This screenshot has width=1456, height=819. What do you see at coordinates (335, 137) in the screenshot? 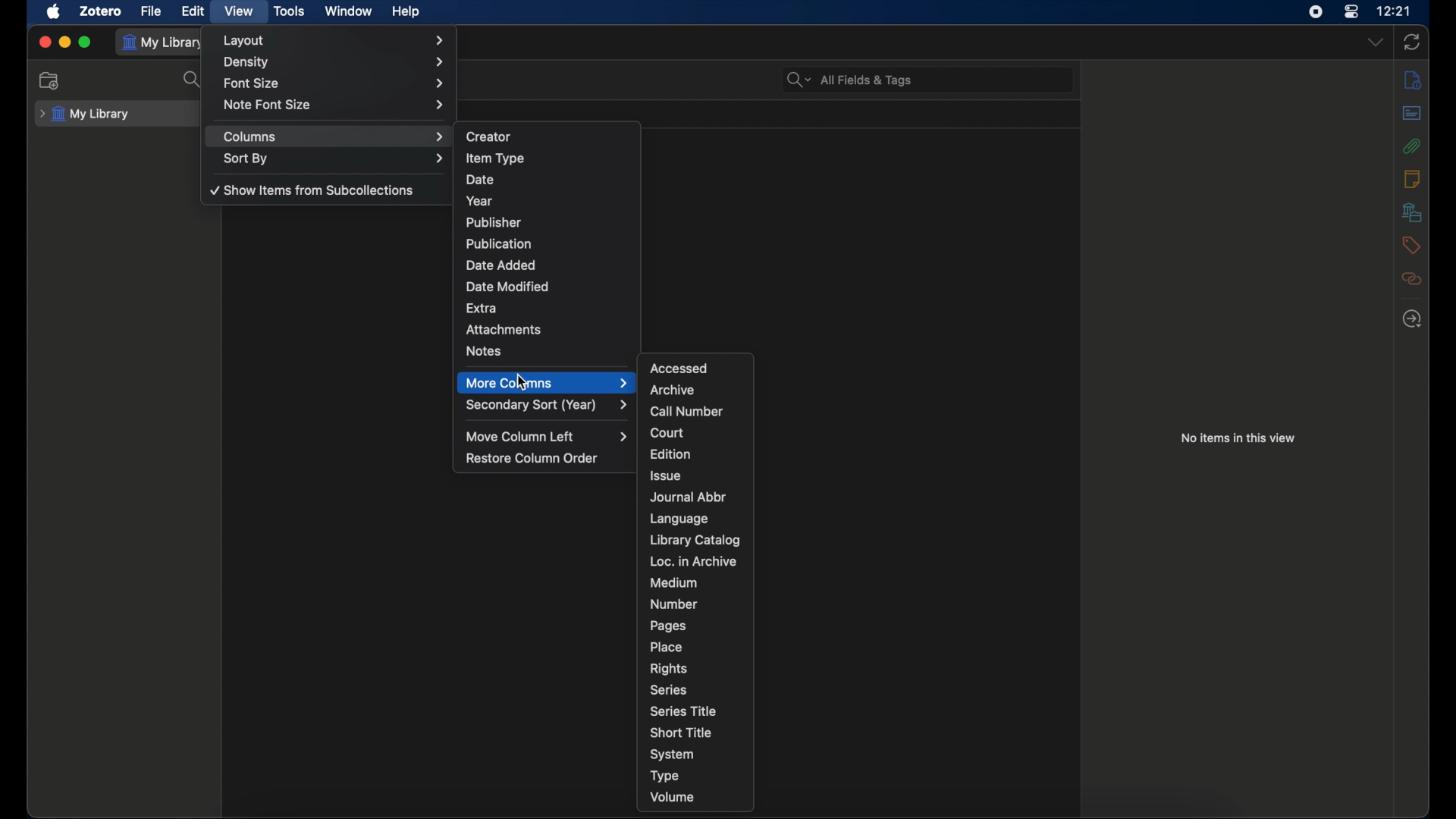
I see `columns` at bounding box center [335, 137].